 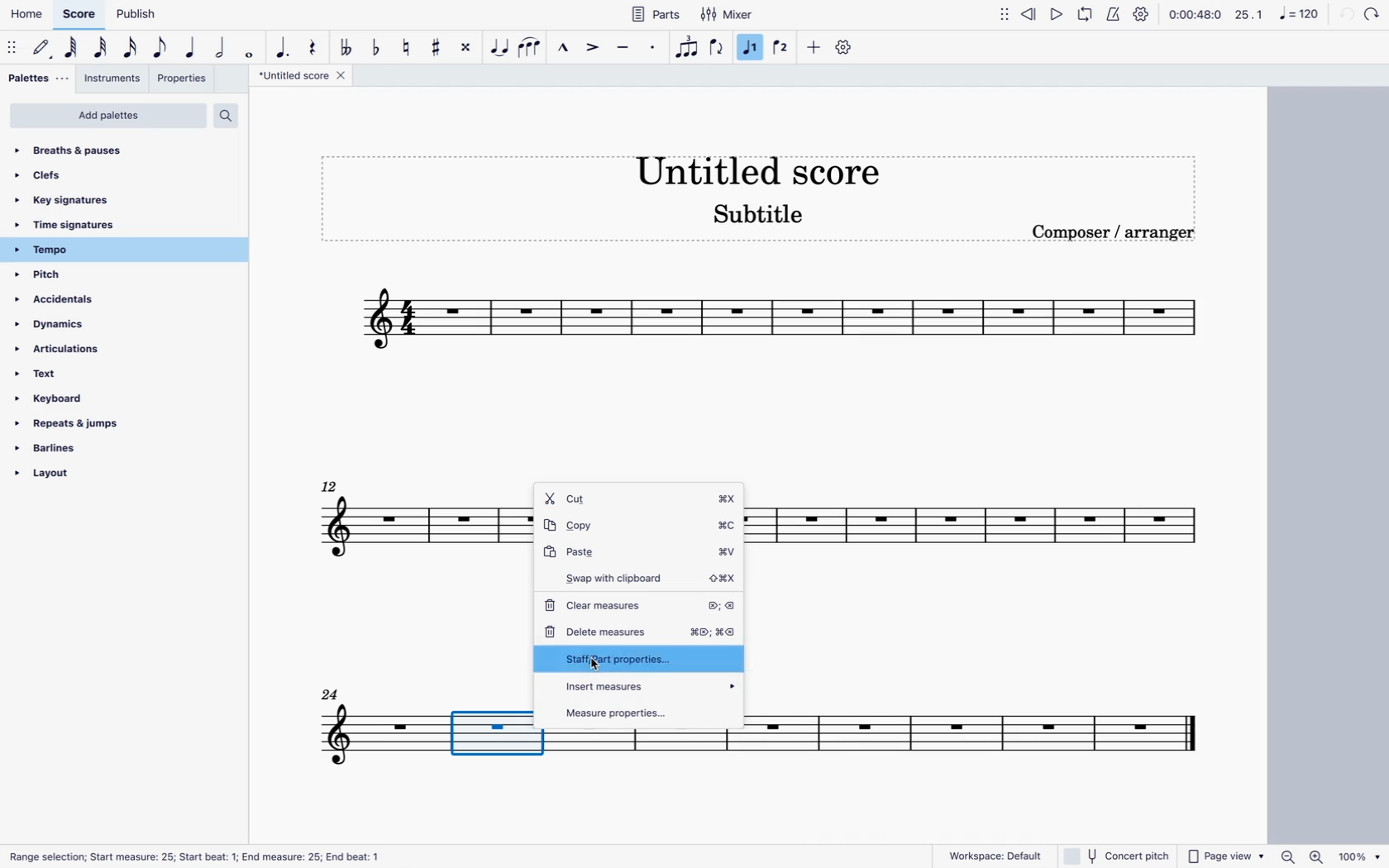 I want to click on tuplet, so click(x=686, y=48).